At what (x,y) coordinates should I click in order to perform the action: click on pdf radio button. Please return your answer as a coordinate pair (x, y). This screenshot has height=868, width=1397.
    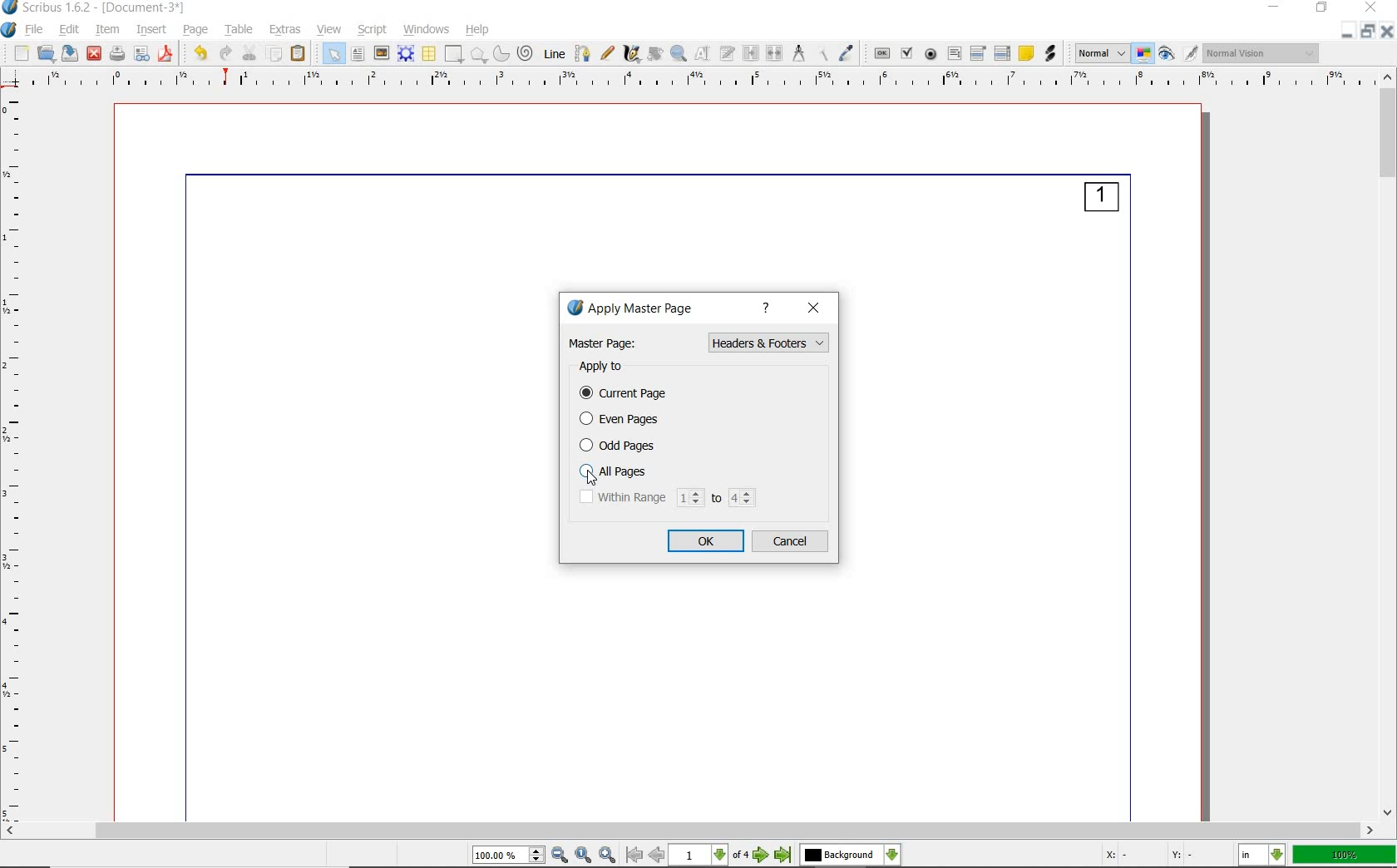
    Looking at the image, I should click on (931, 55).